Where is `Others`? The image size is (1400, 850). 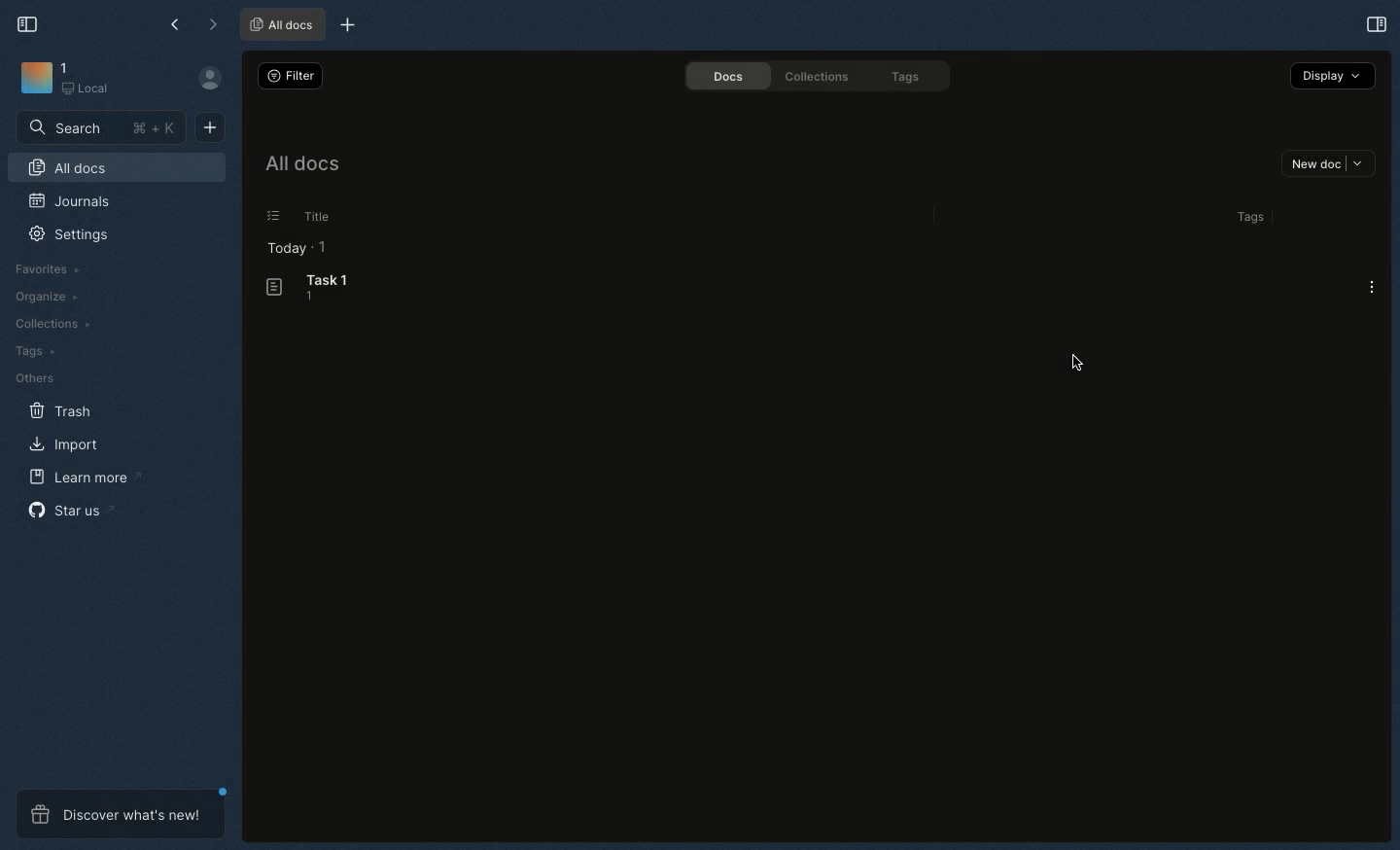
Others is located at coordinates (40, 379).